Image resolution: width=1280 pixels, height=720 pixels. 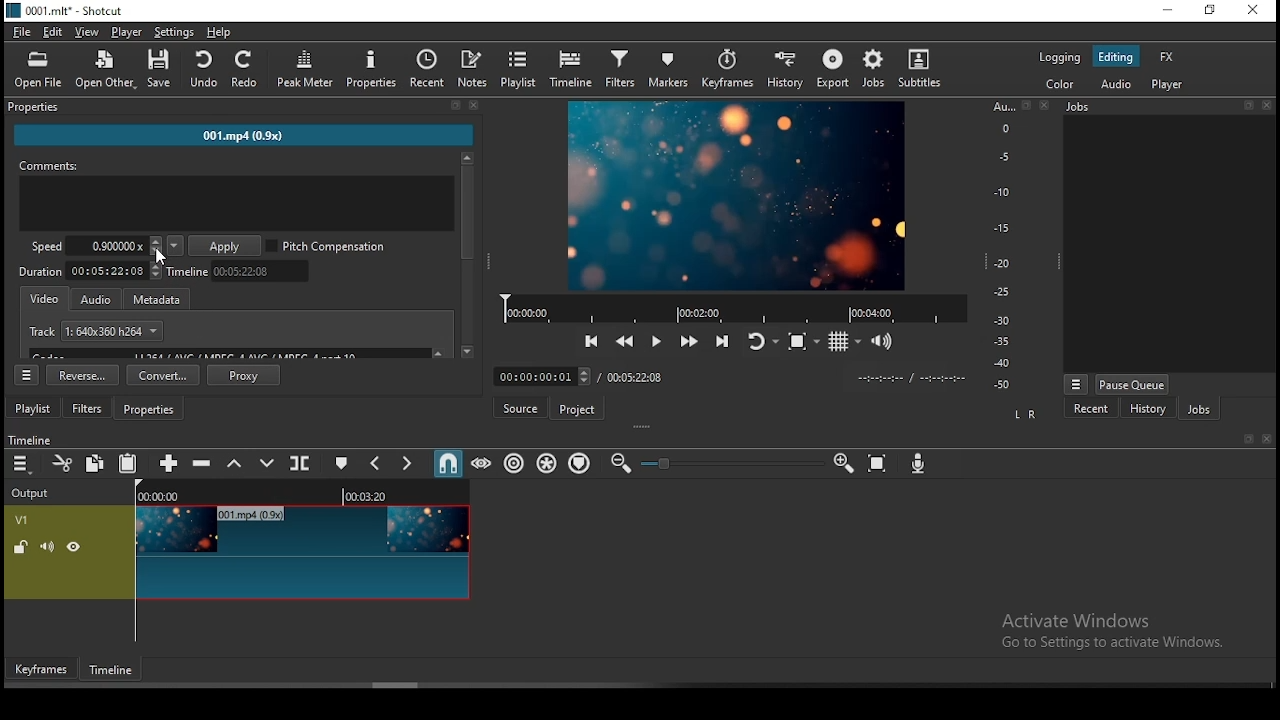 I want to click on toggle grid display on the player, so click(x=845, y=342).